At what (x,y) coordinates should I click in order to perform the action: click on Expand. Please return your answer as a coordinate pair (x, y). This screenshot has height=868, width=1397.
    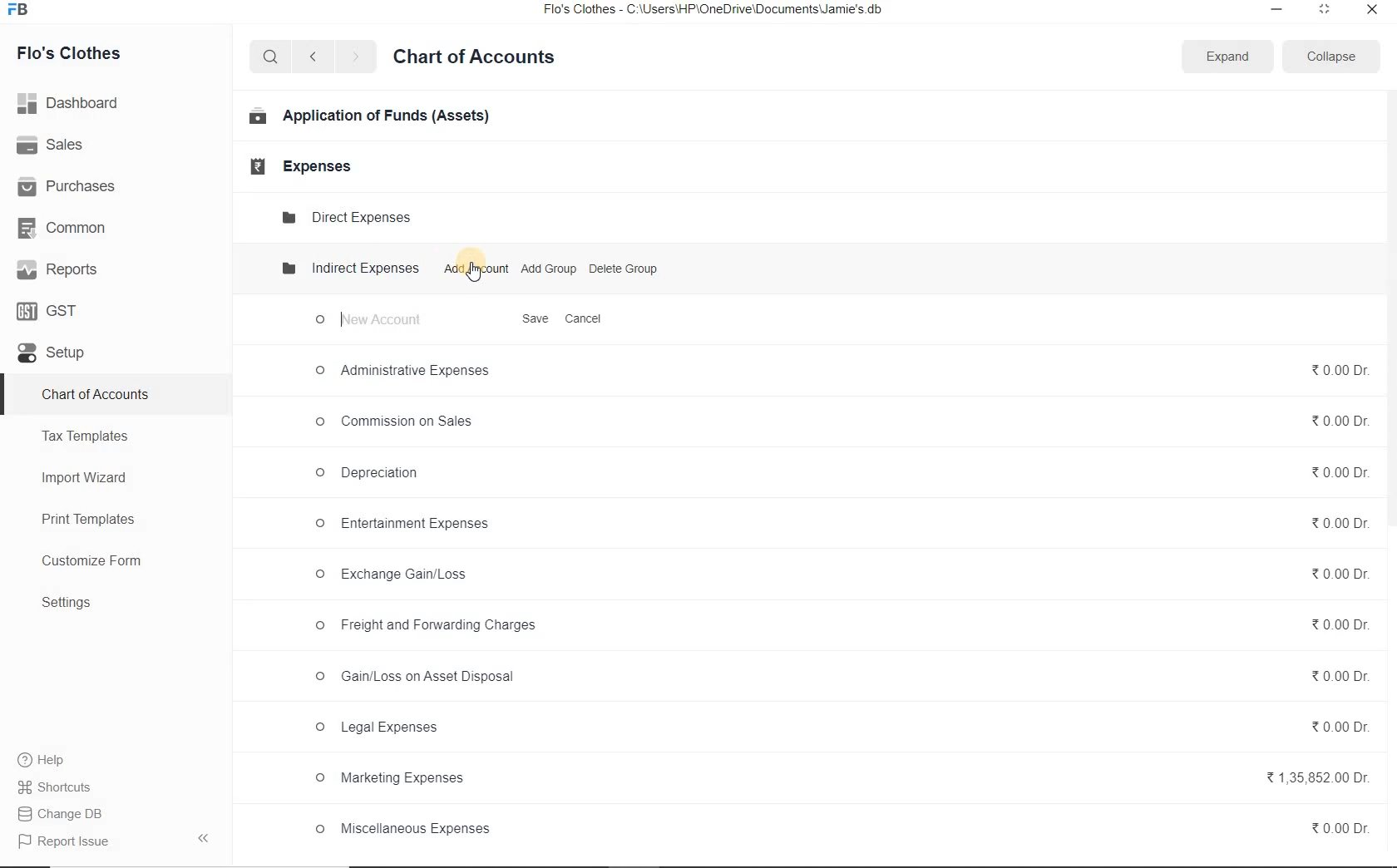
    Looking at the image, I should click on (1228, 56).